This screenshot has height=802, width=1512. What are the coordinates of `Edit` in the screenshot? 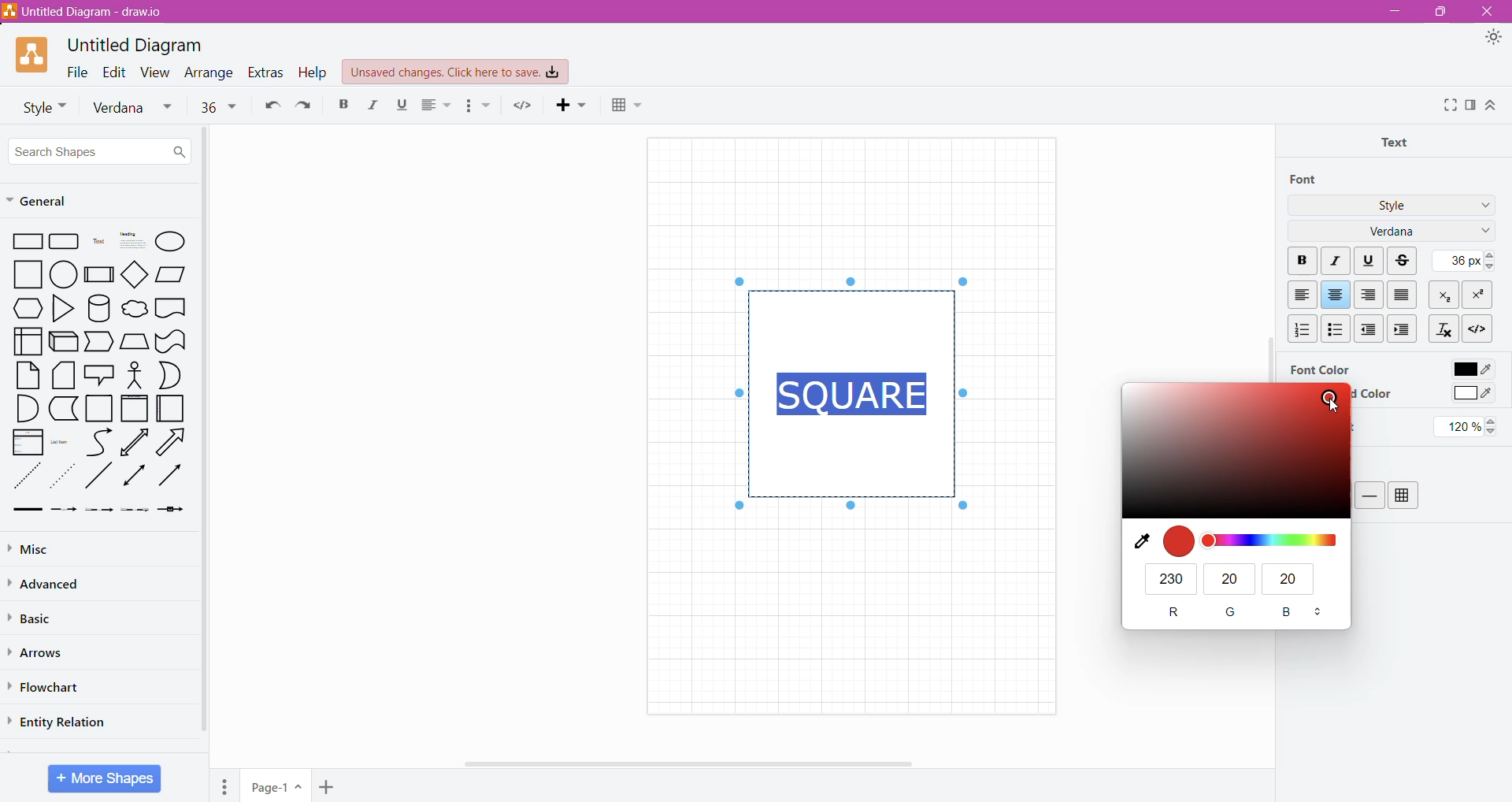 It's located at (115, 71).